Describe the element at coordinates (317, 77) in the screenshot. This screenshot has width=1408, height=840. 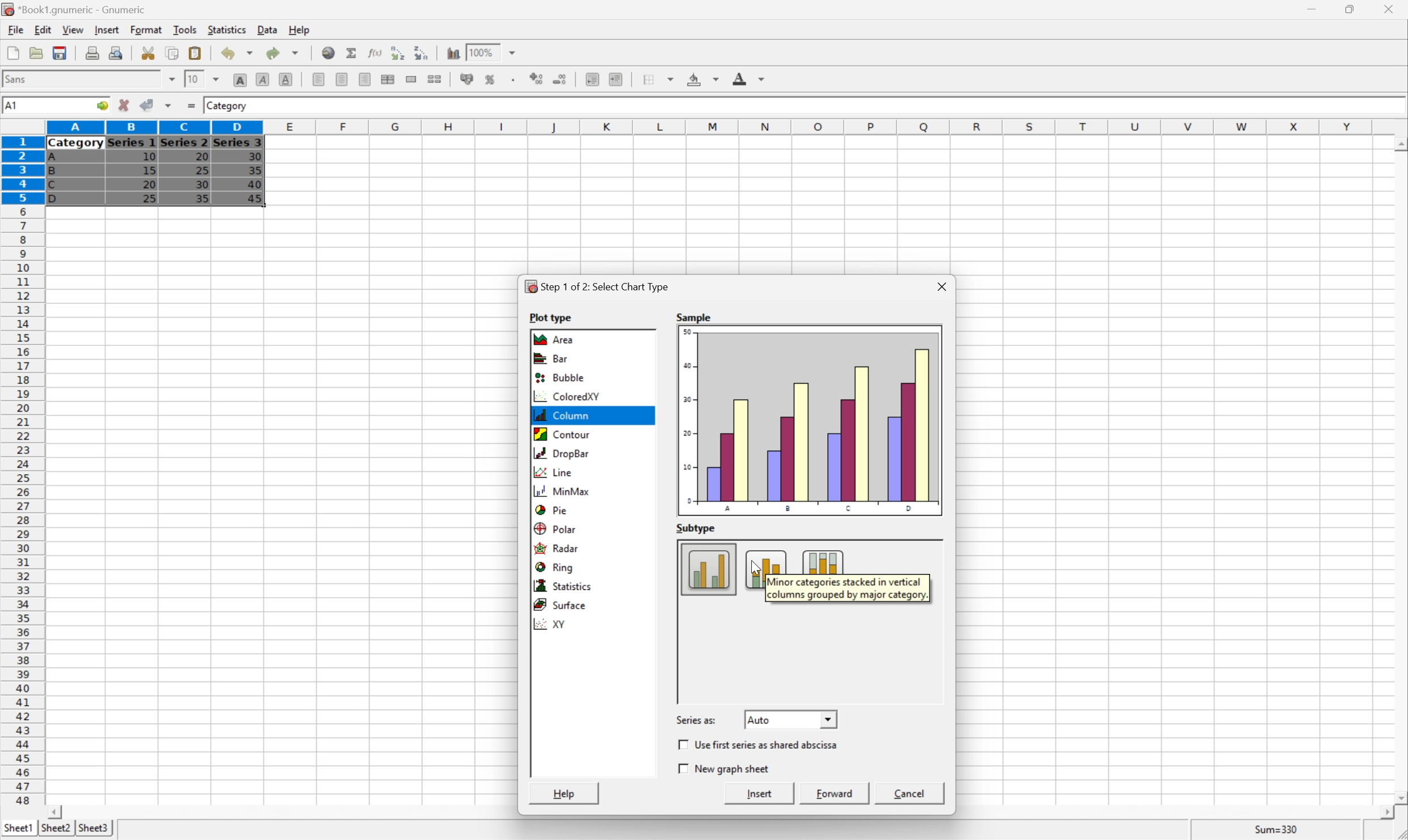
I see `Align Left` at that location.